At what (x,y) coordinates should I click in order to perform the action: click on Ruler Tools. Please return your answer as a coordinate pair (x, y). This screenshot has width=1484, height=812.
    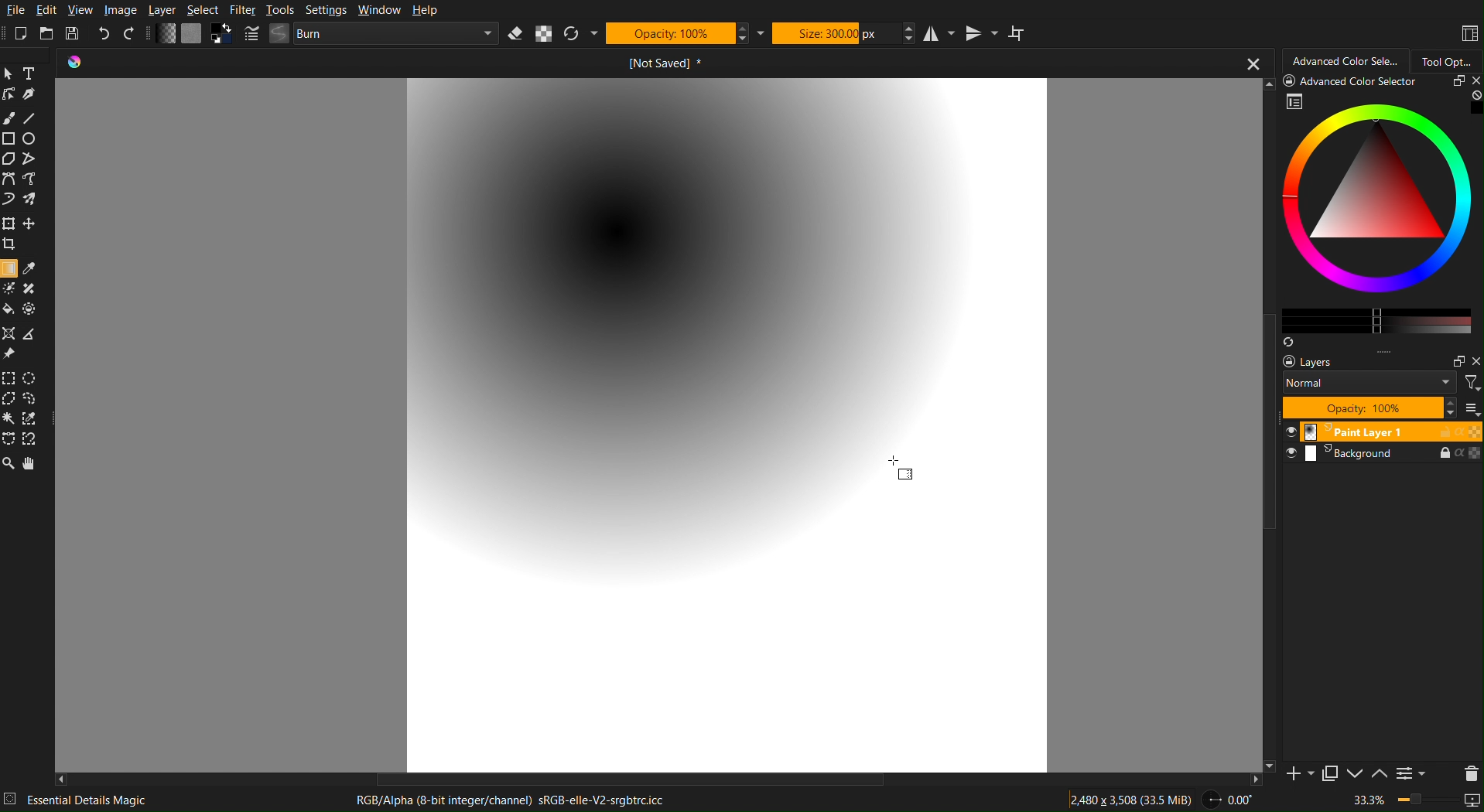
    Looking at the image, I should click on (22, 342).